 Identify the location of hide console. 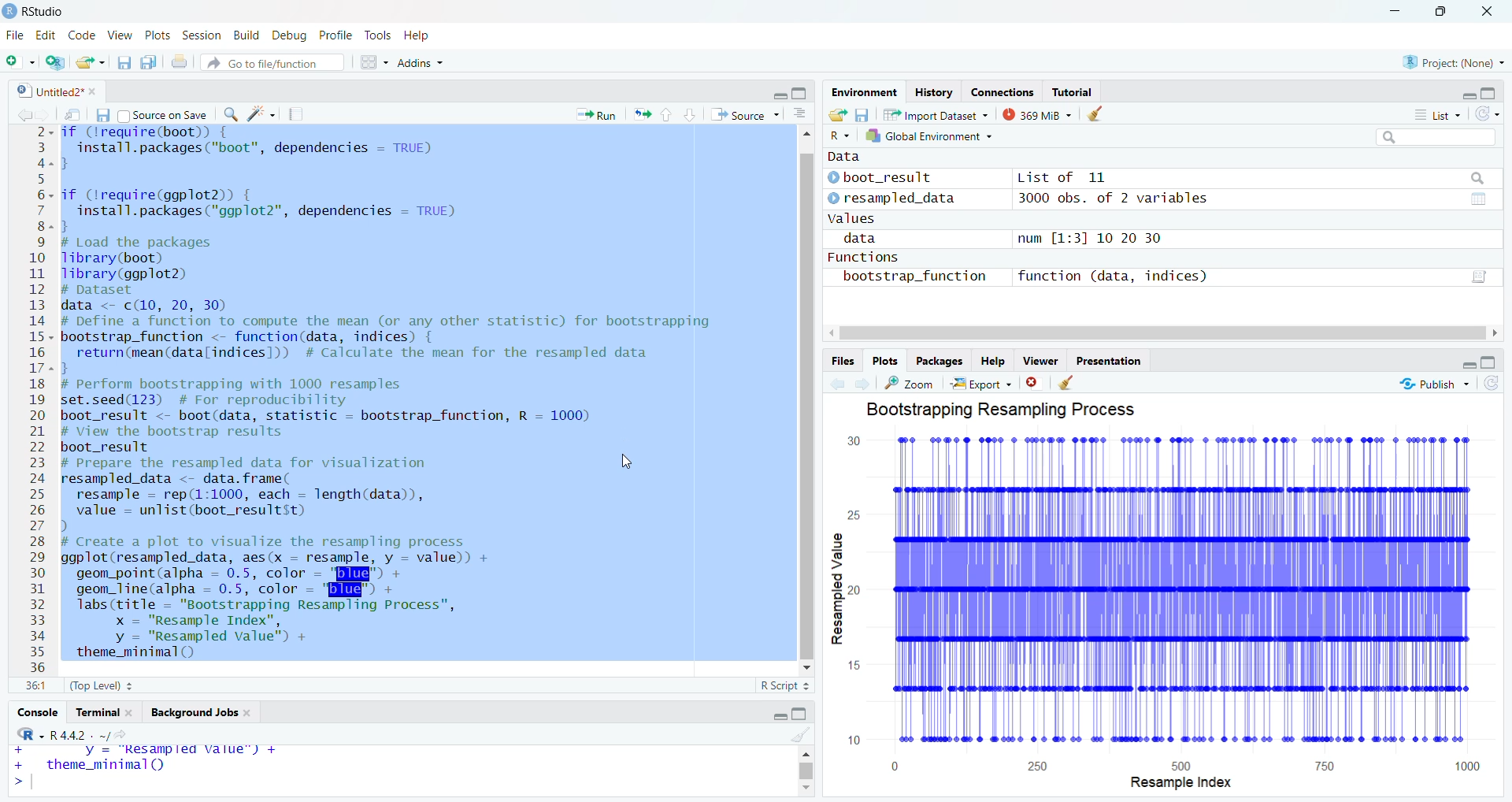
(806, 716).